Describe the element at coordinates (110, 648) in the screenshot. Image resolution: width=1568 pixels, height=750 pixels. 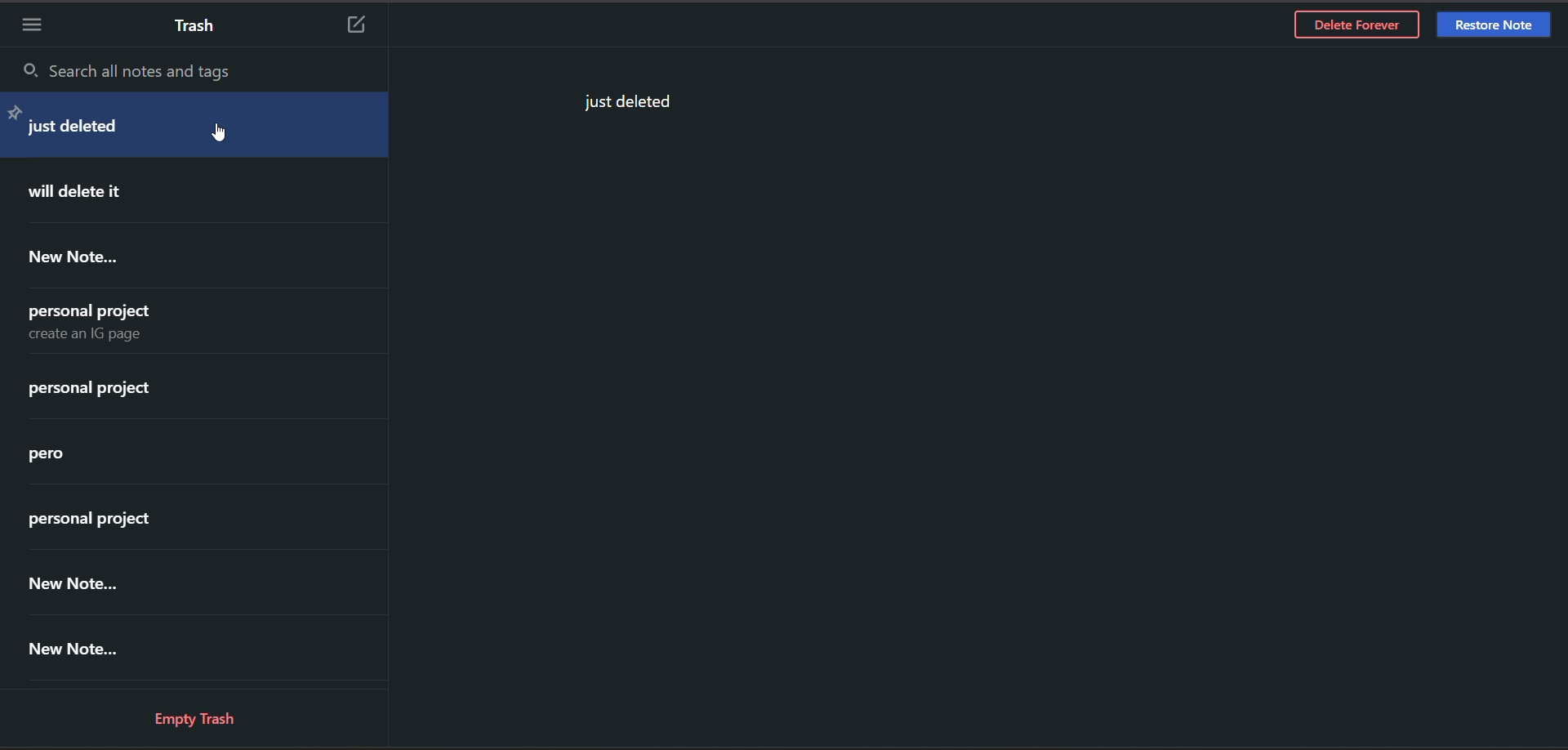
I see `deleted note title 9` at that location.